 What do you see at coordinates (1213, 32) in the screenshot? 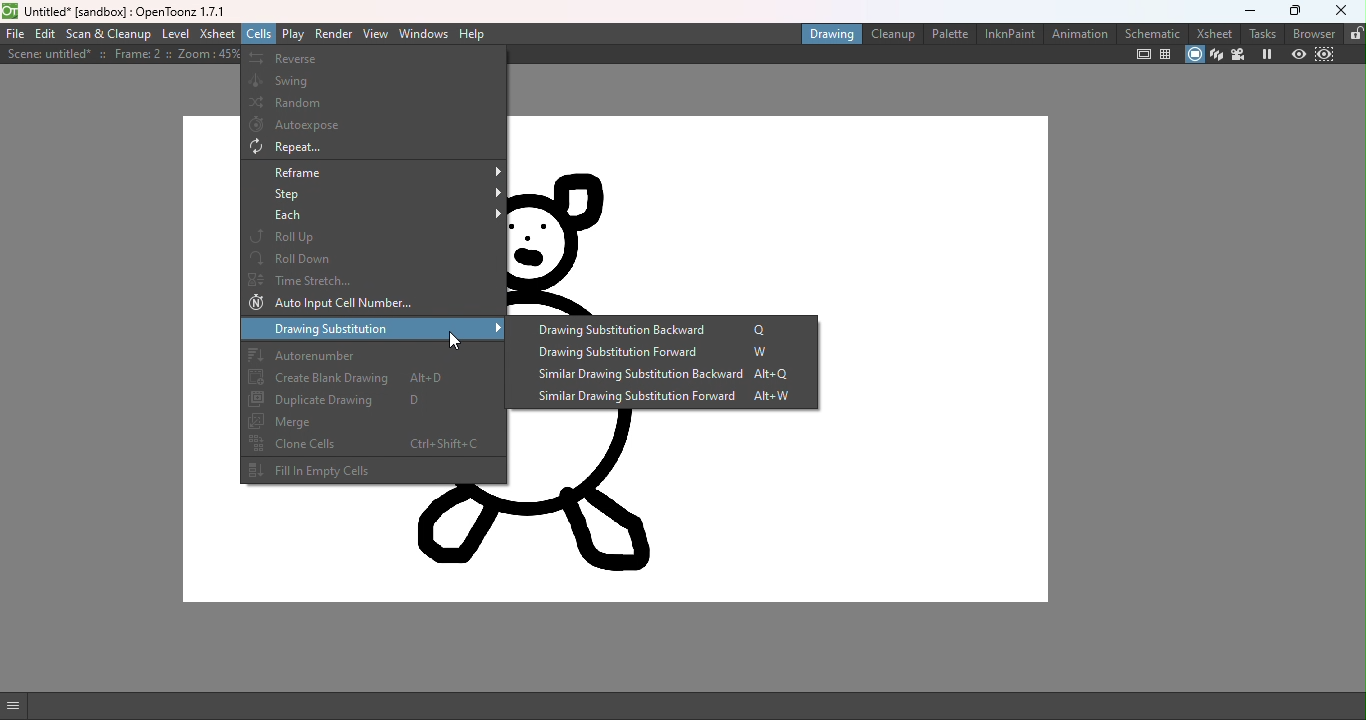
I see `Xsheet` at bounding box center [1213, 32].